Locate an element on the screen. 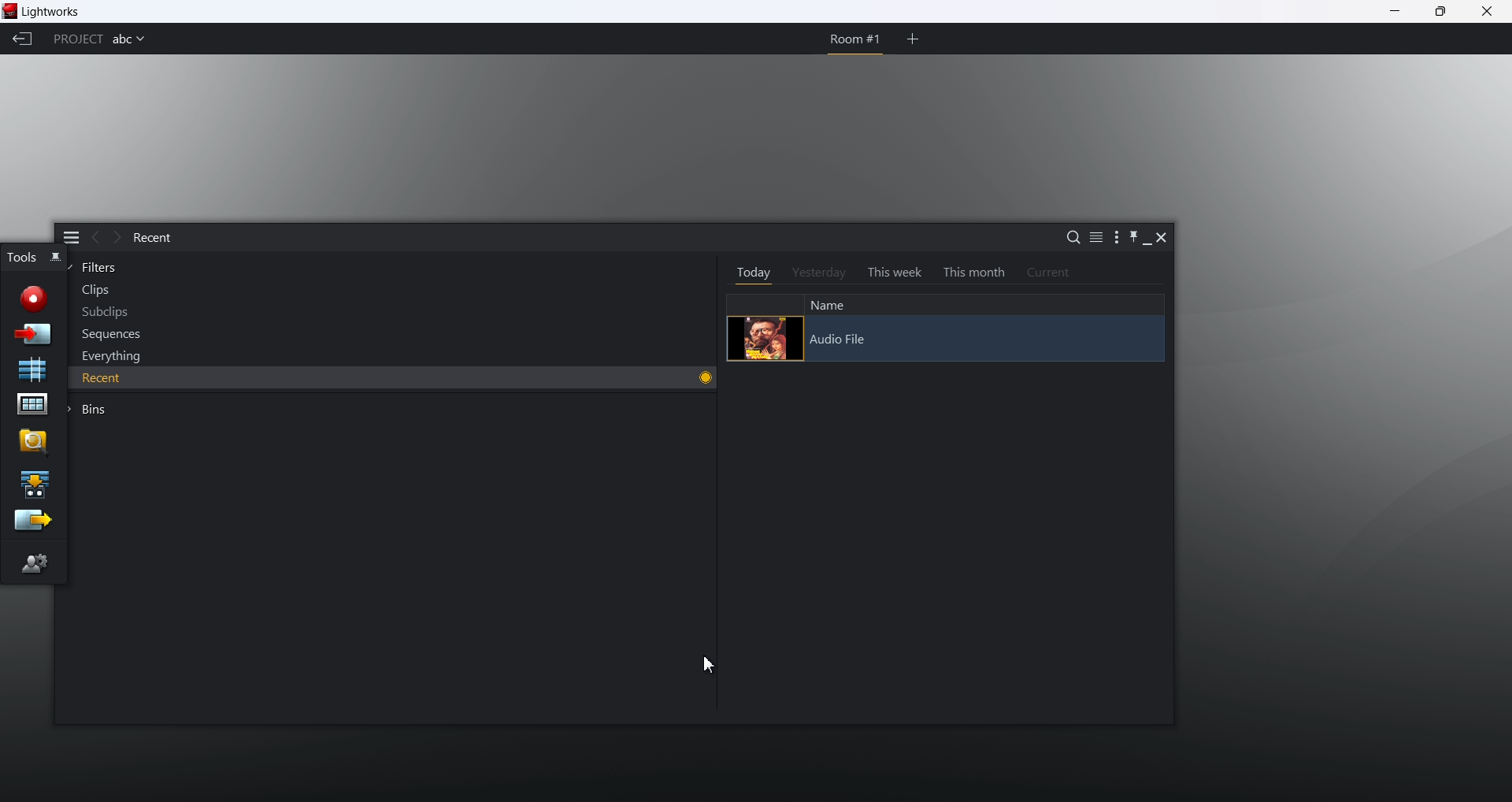 Image resolution: width=1512 pixels, height=802 pixels. cursor is located at coordinates (708, 663).